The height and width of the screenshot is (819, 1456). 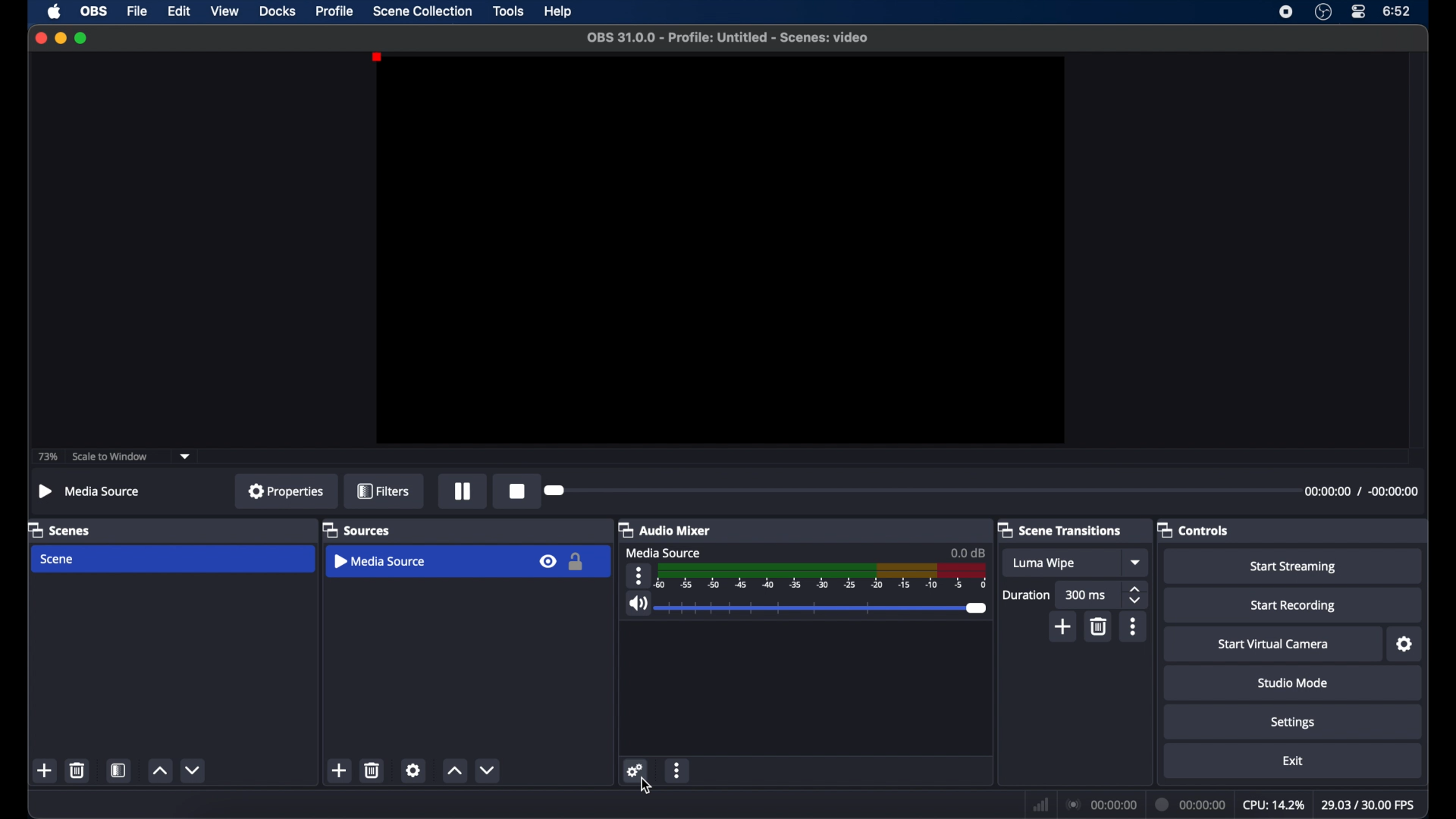 I want to click on minimize, so click(x=61, y=38).